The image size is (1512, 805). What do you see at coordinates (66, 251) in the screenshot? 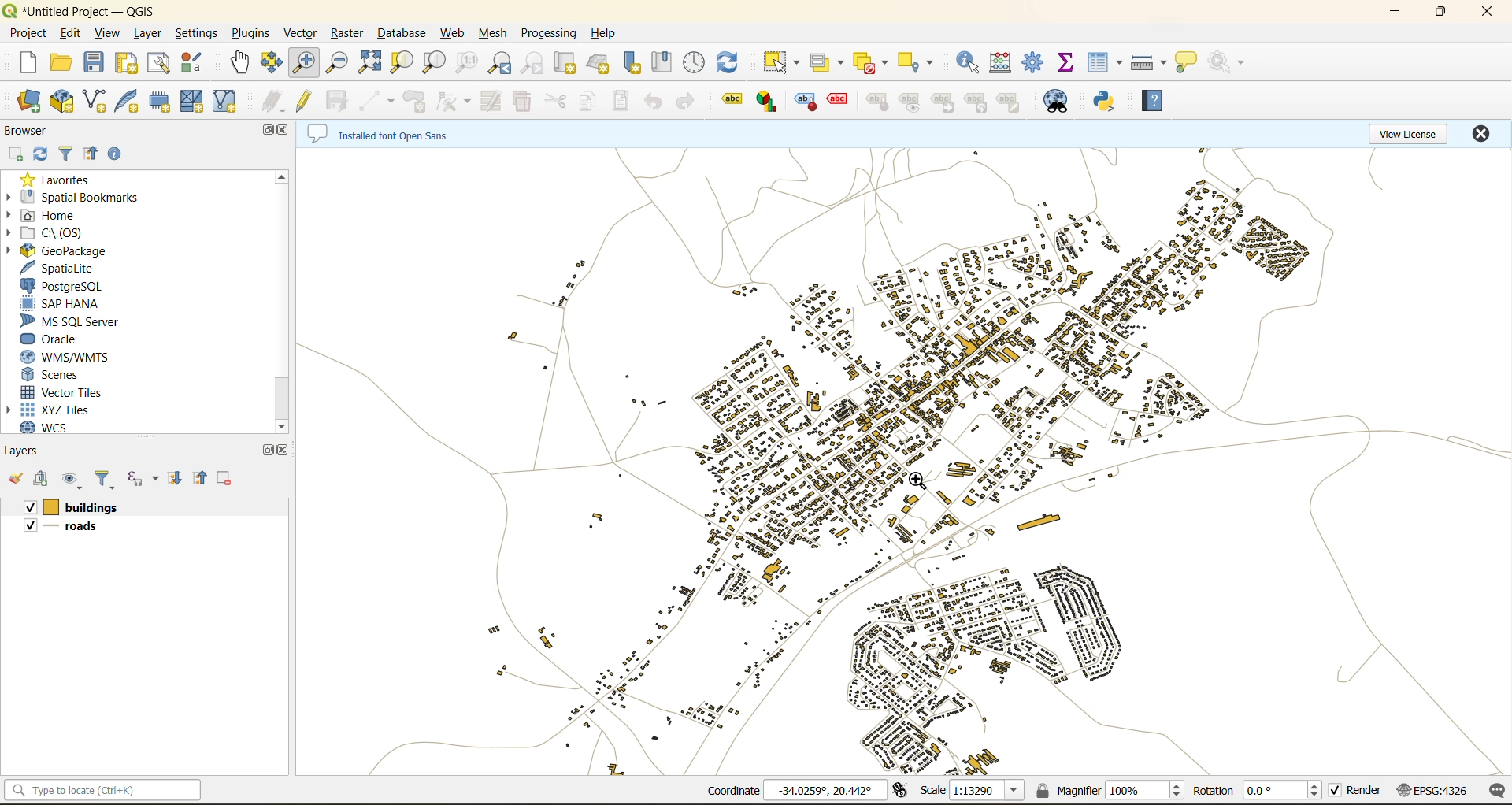
I see `geopackage` at bounding box center [66, 251].